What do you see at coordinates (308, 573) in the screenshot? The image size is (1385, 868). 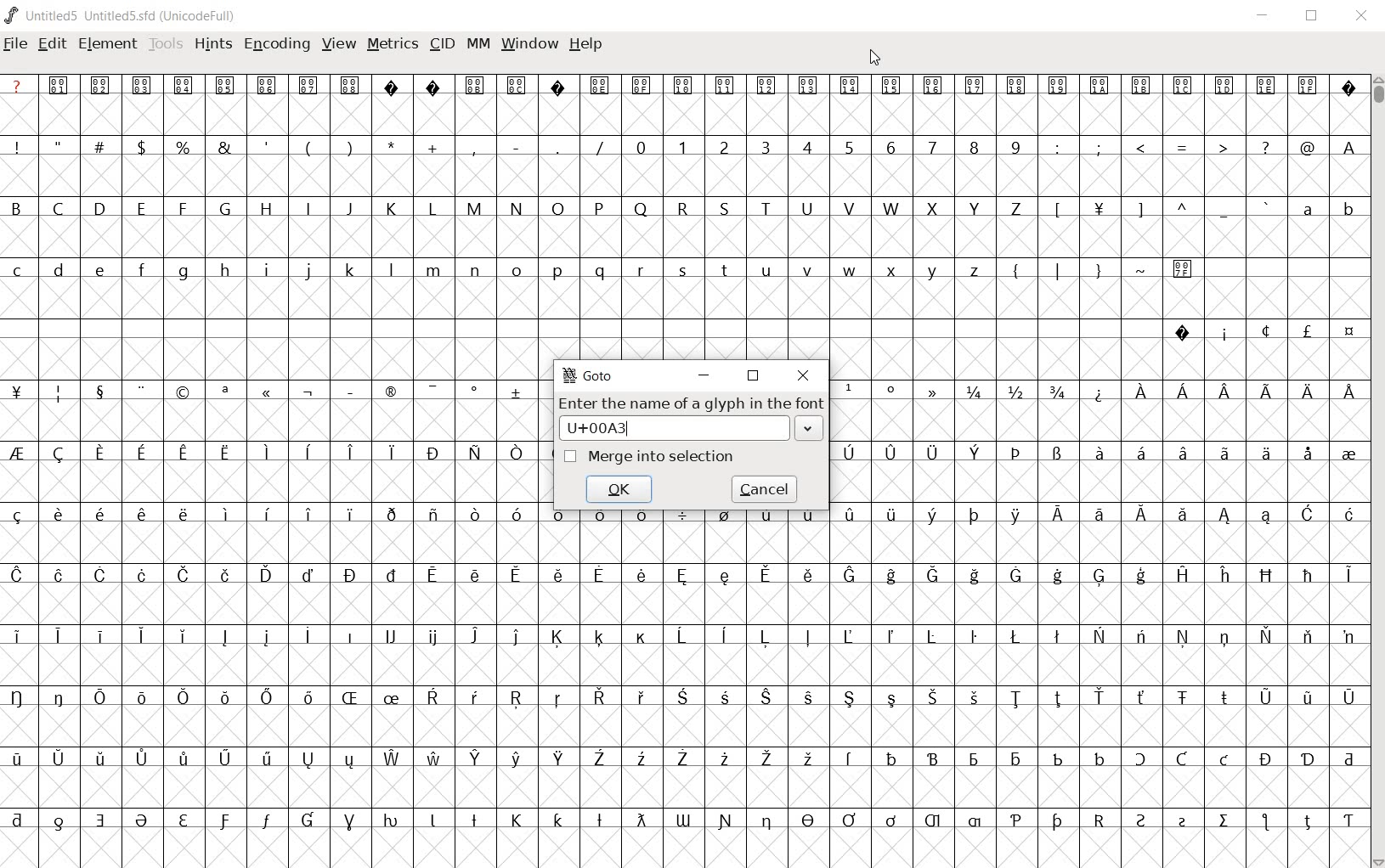 I see `Symbol` at bounding box center [308, 573].